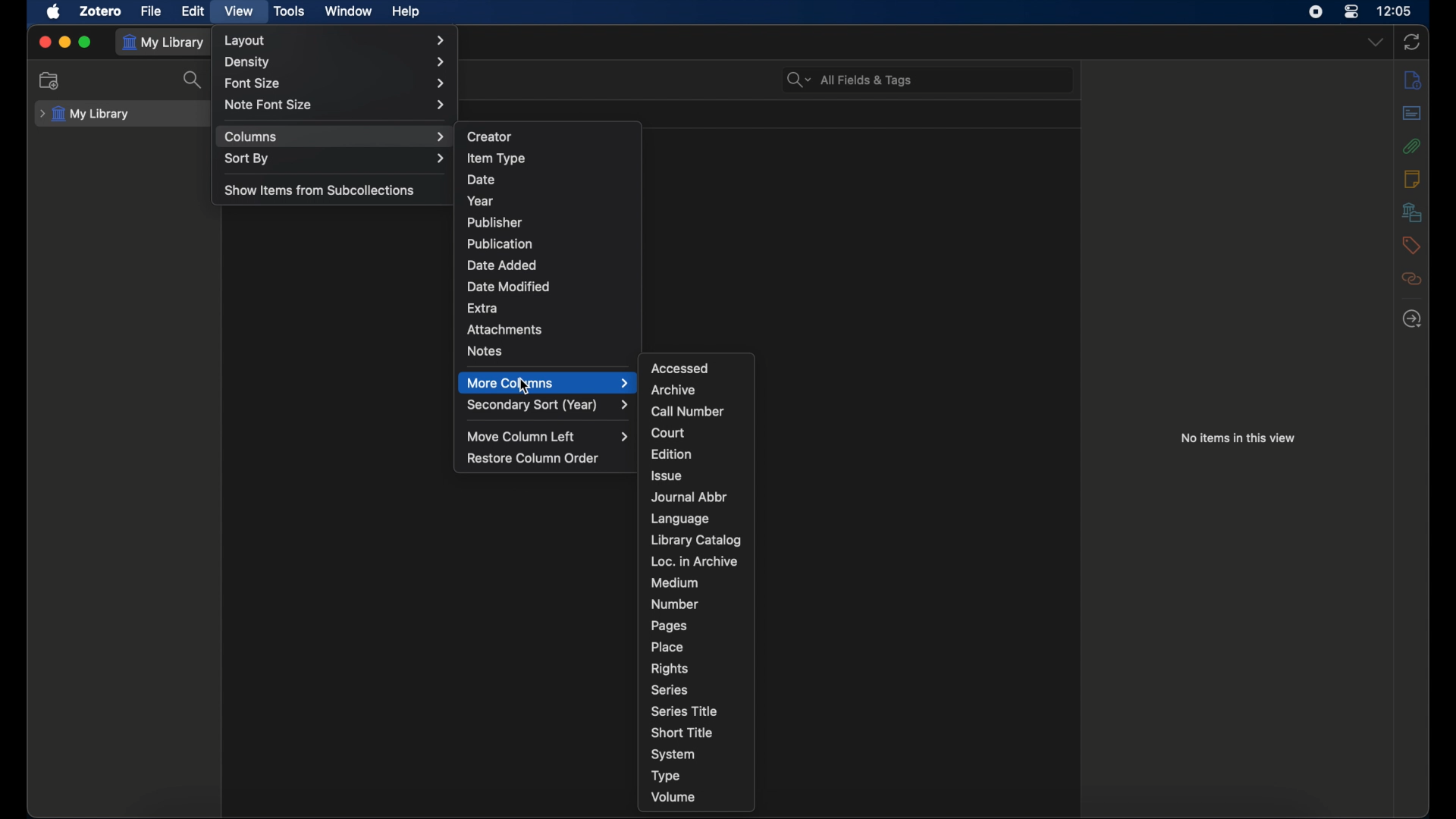 This screenshot has width=1456, height=819. I want to click on cursor, so click(527, 388).